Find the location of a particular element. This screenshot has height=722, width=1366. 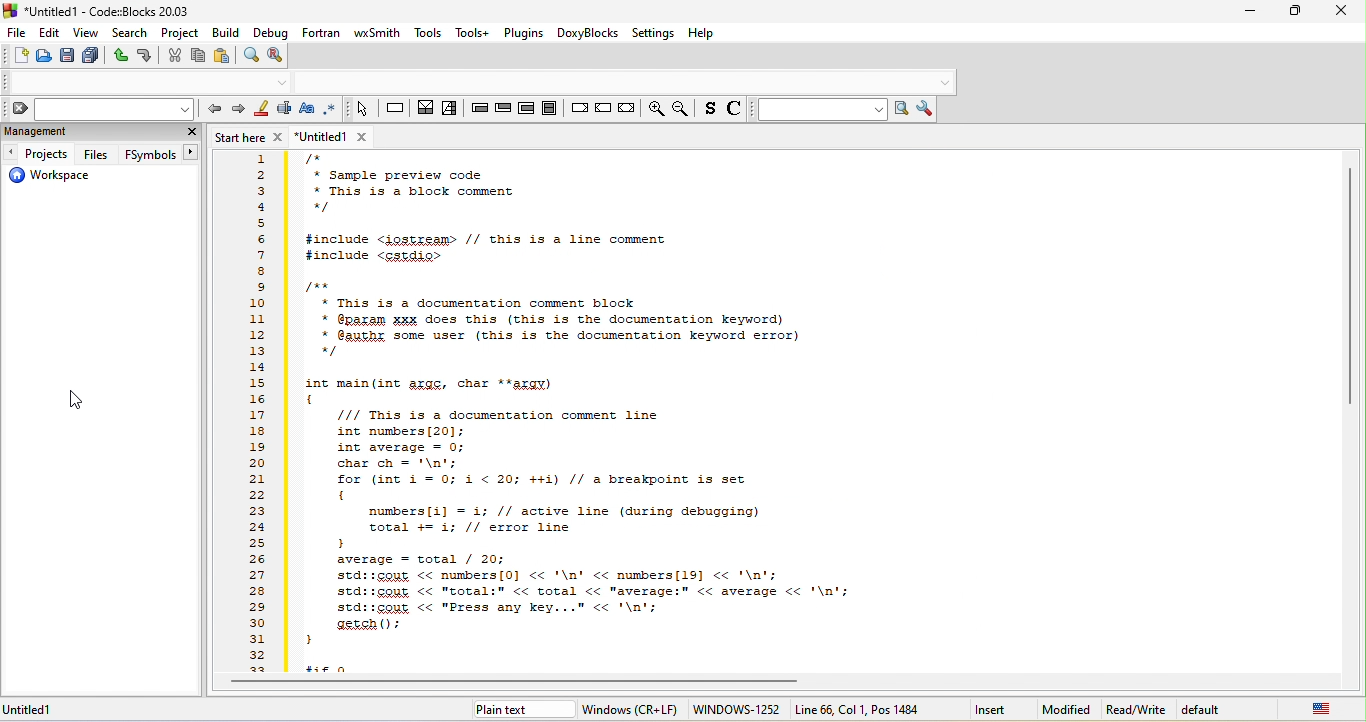

minimize is located at coordinates (1250, 11).